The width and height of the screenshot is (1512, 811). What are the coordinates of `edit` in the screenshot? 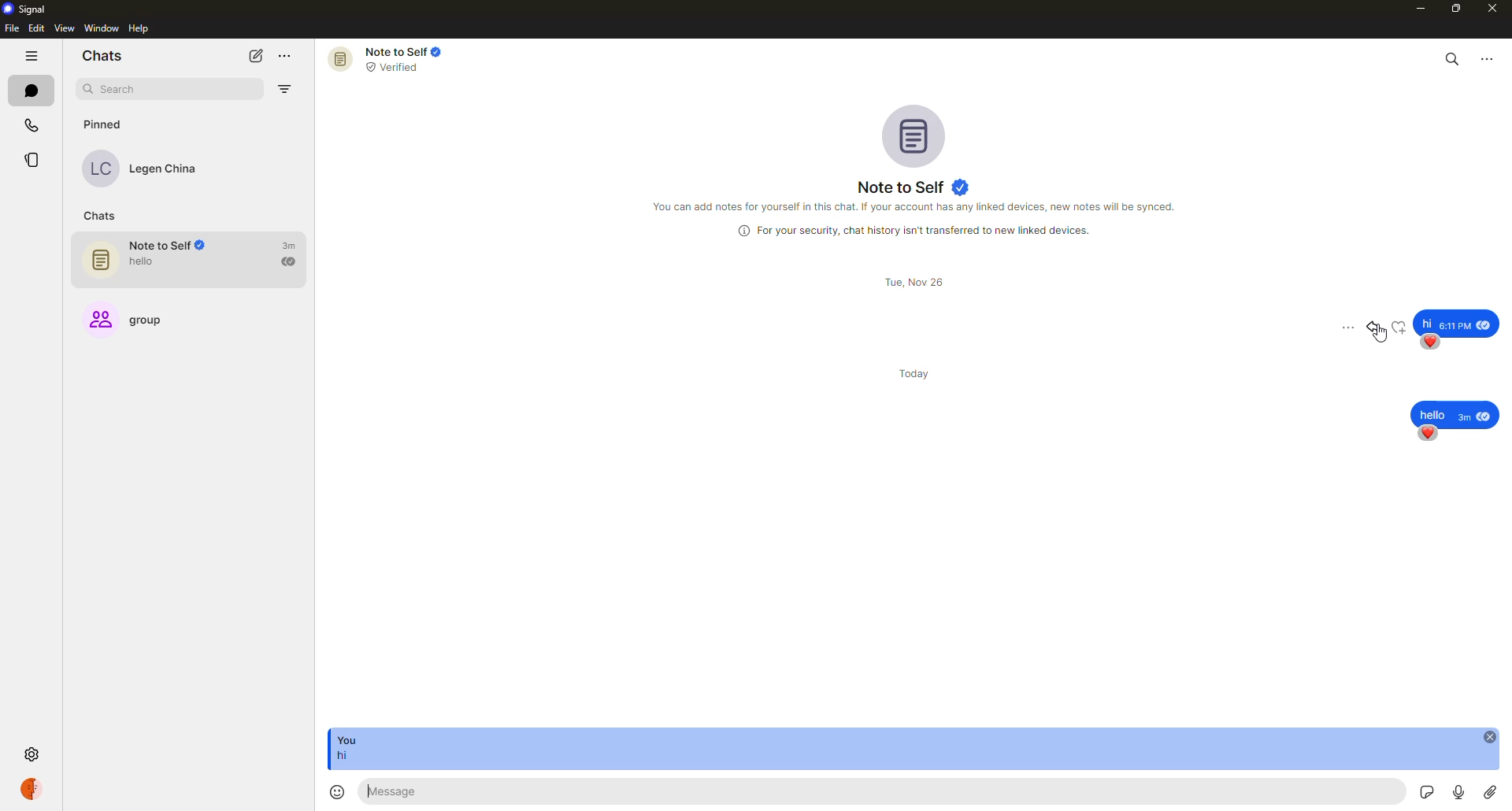 It's located at (35, 28).